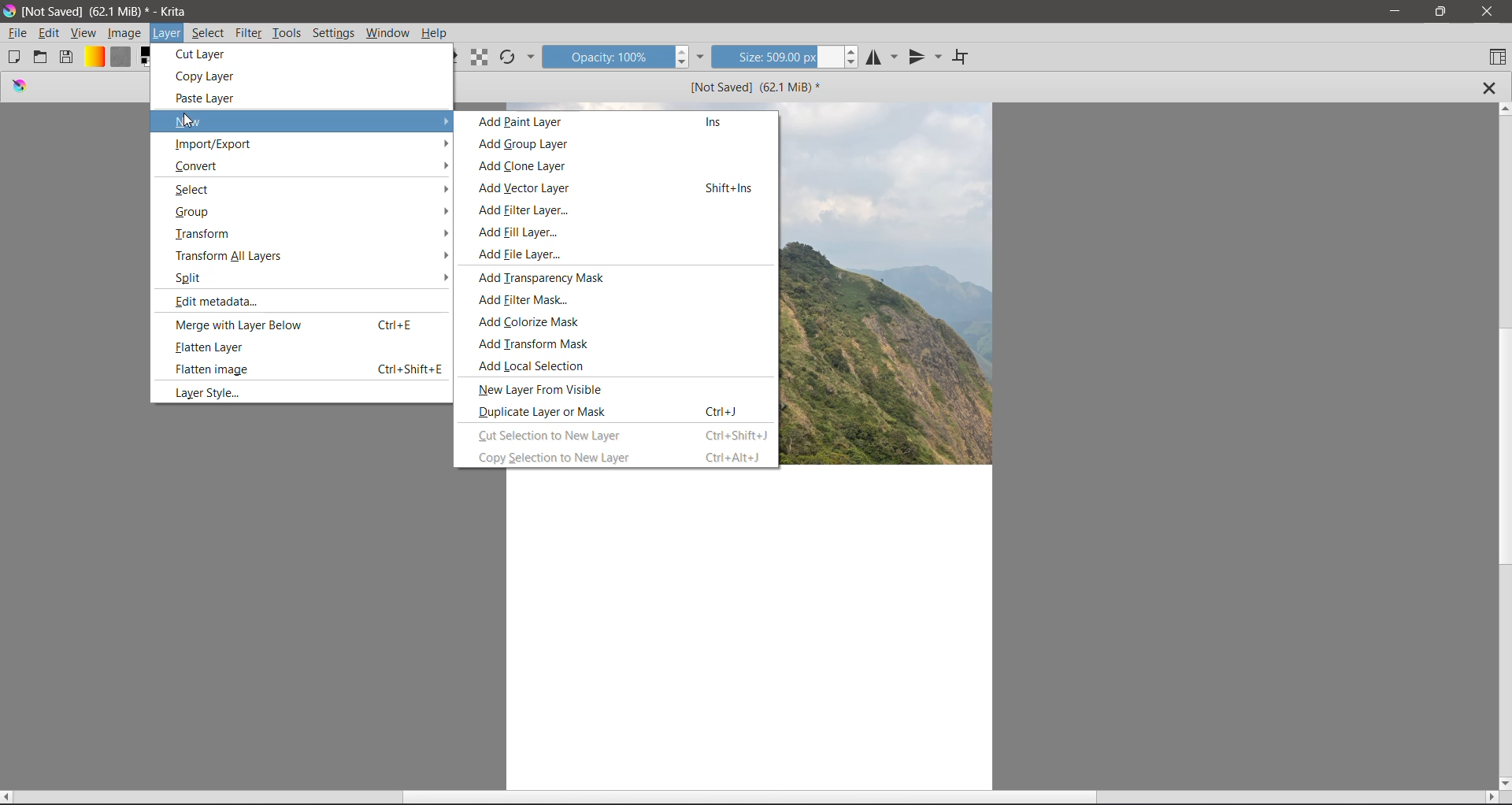 The width and height of the screenshot is (1512, 805). Describe the element at coordinates (204, 53) in the screenshot. I see `Cut Layer` at that location.